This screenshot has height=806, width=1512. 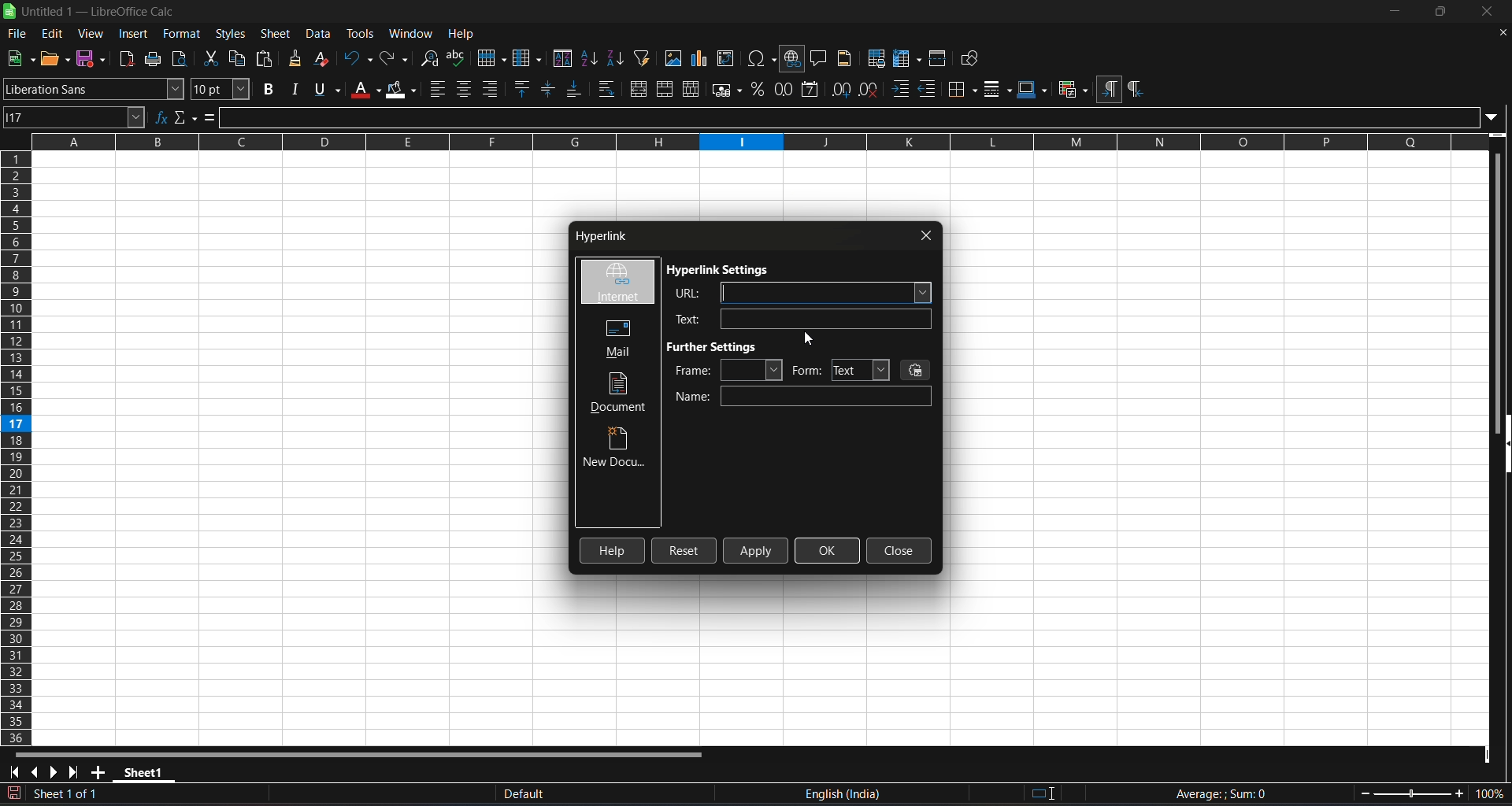 What do you see at coordinates (847, 58) in the screenshot?
I see `headers and footers` at bounding box center [847, 58].